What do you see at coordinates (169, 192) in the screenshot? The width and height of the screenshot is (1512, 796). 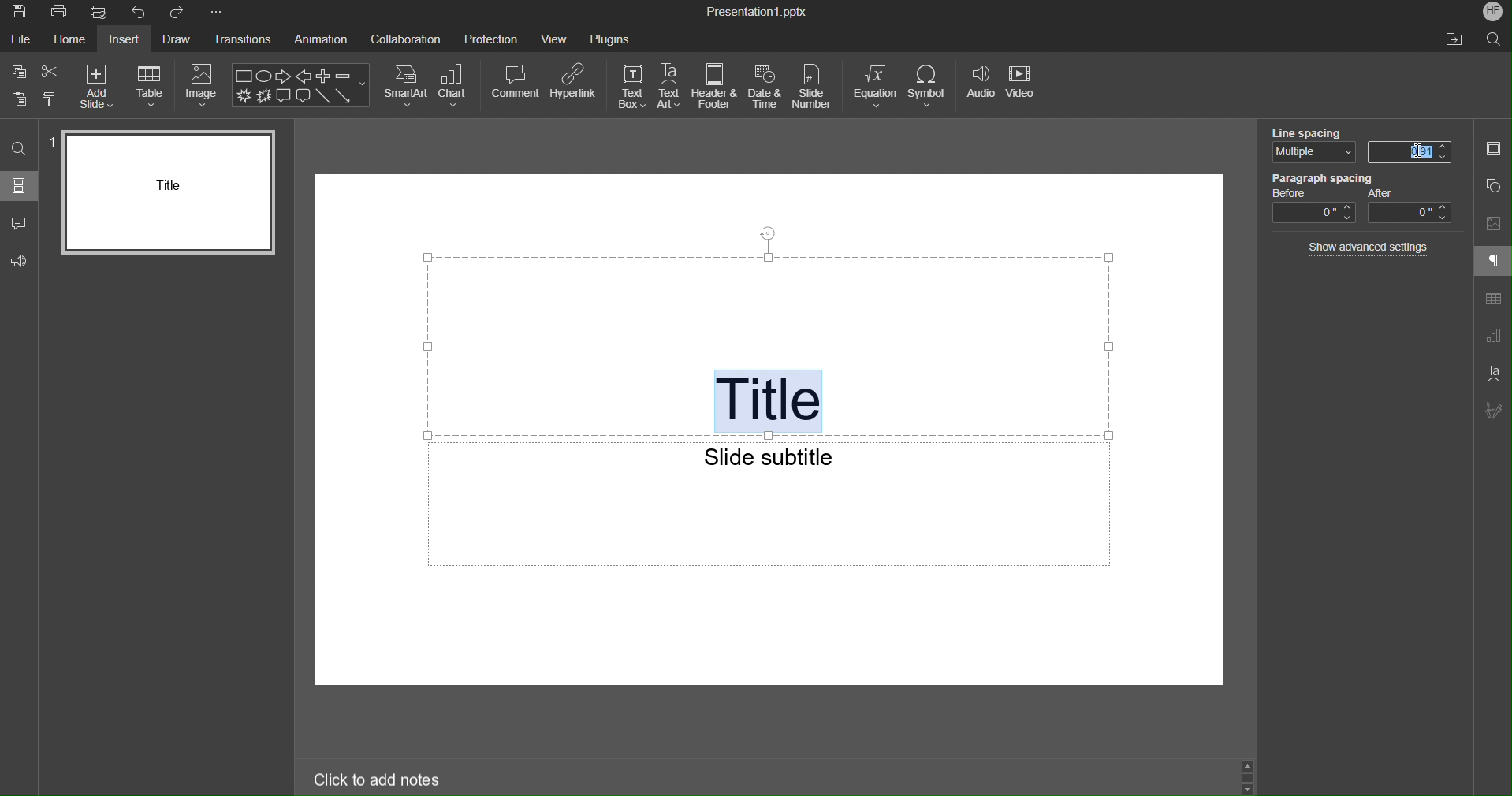 I see `Slide 1` at bounding box center [169, 192].